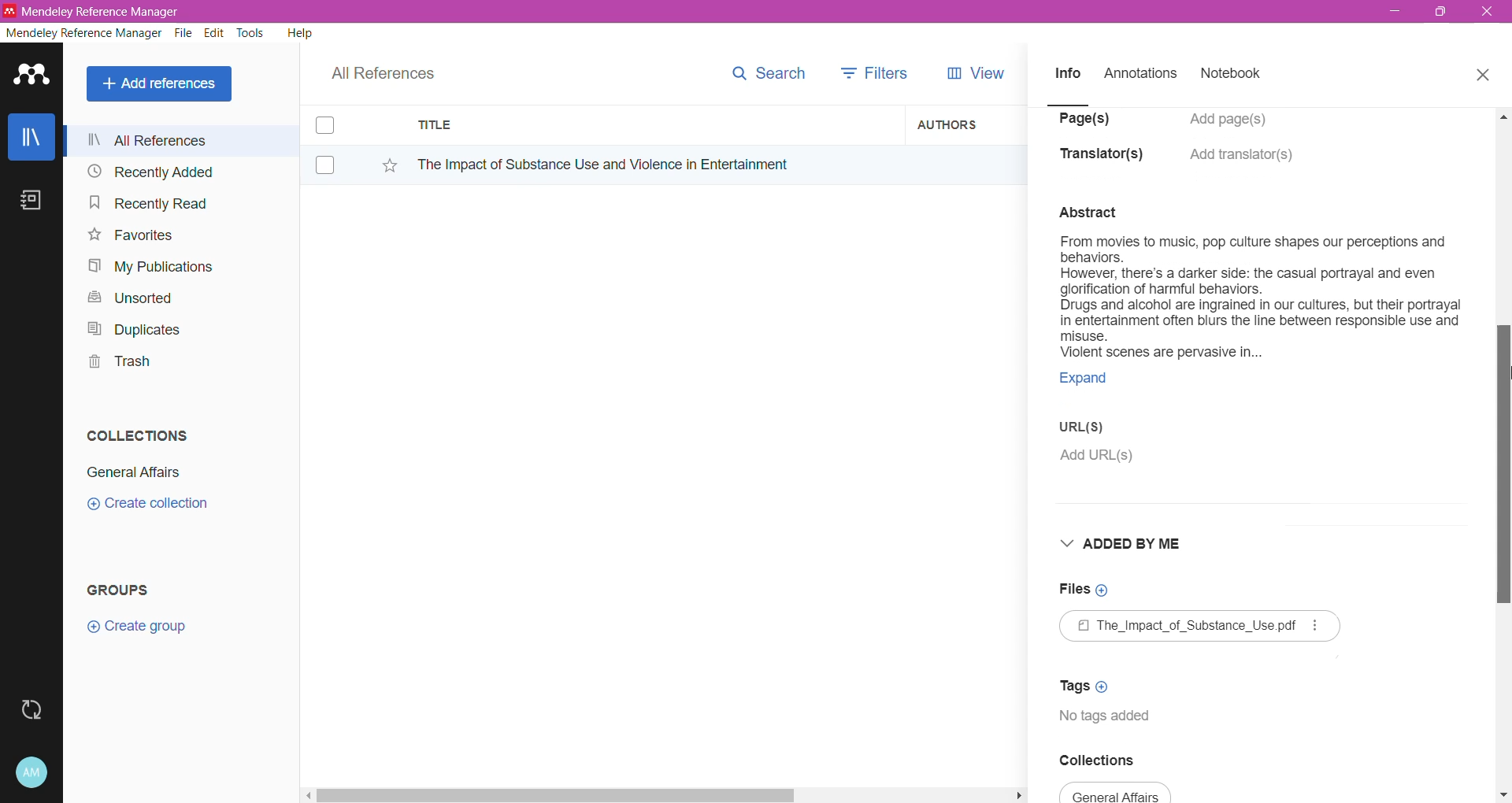 Image resolution: width=1512 pixels, height=803 pixels. Describe the element at coordinates (386, 166) in the screenshot. I see `Click to Add to Favorites` at that location.